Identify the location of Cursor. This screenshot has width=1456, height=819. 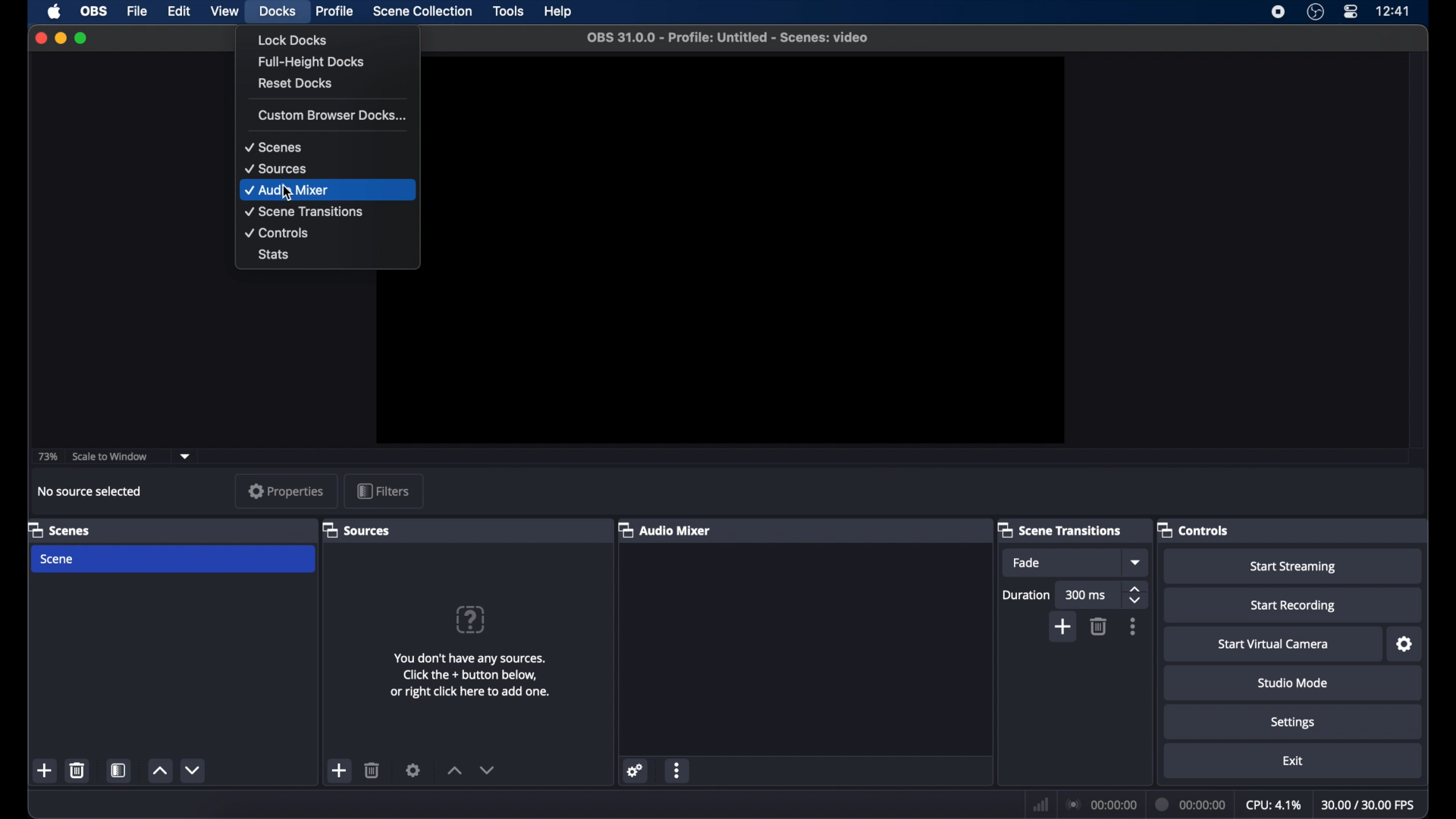
(287, 192).